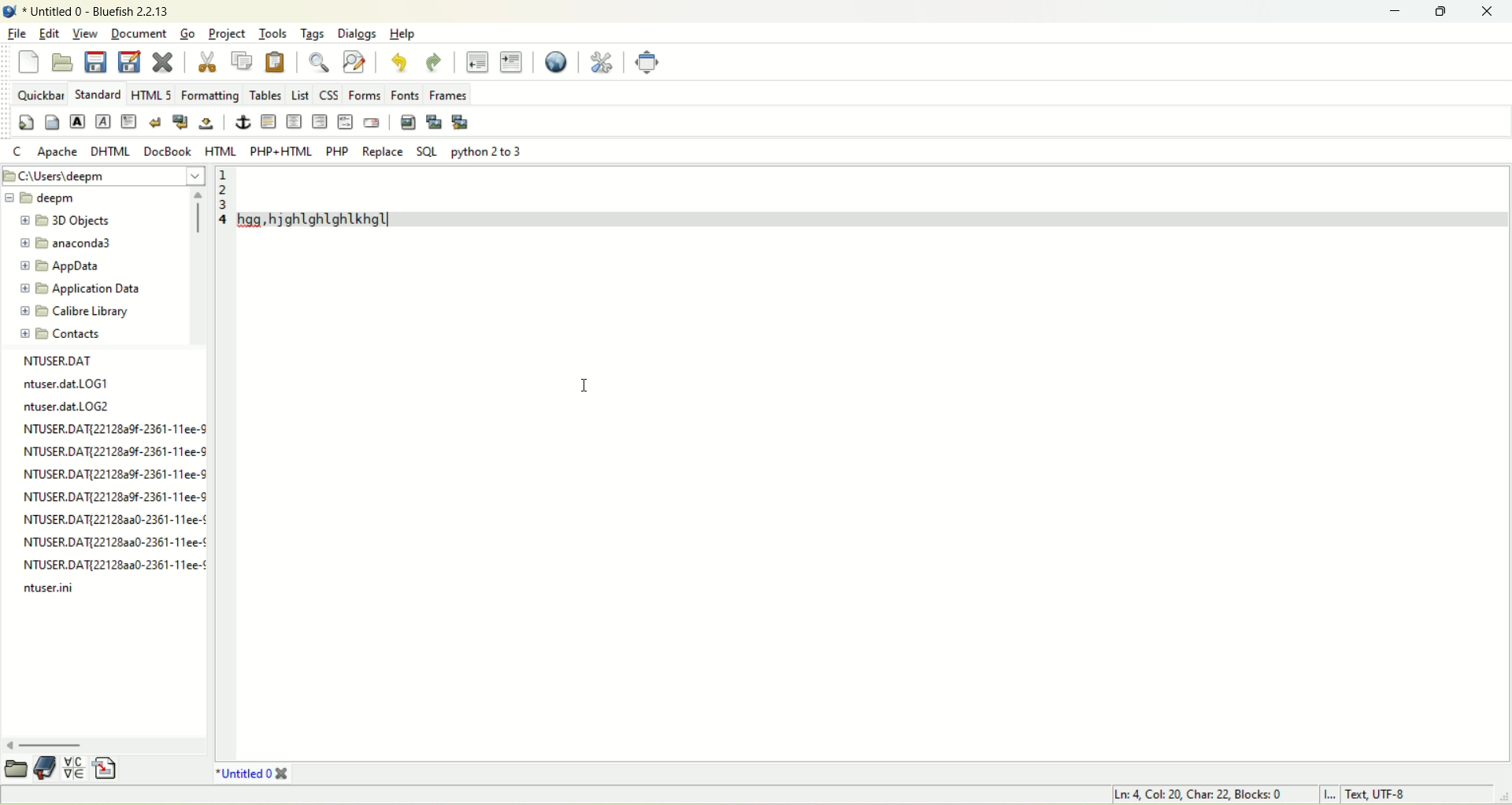  Describe the element at coordinates (40, 95) in the screenshot. I see `quickbar` at that location.